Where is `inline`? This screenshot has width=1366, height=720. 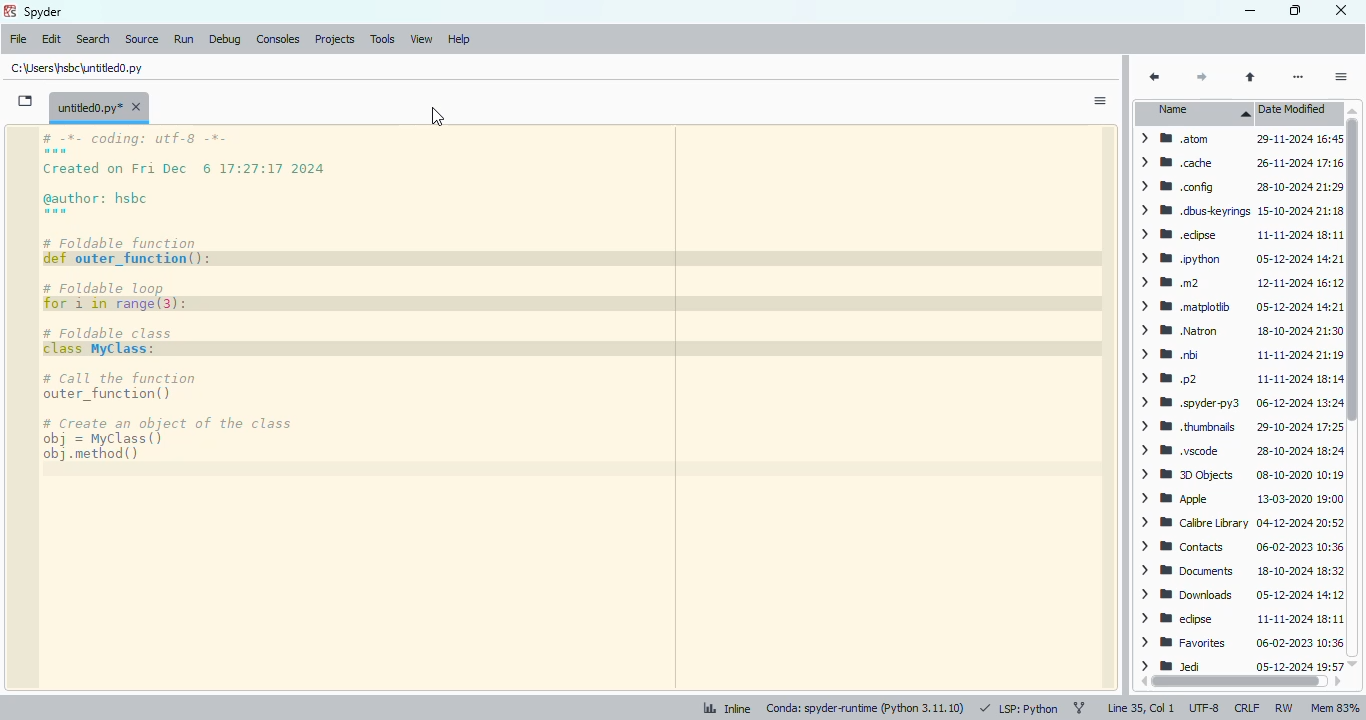 inline is located at coordinates (718, 707).